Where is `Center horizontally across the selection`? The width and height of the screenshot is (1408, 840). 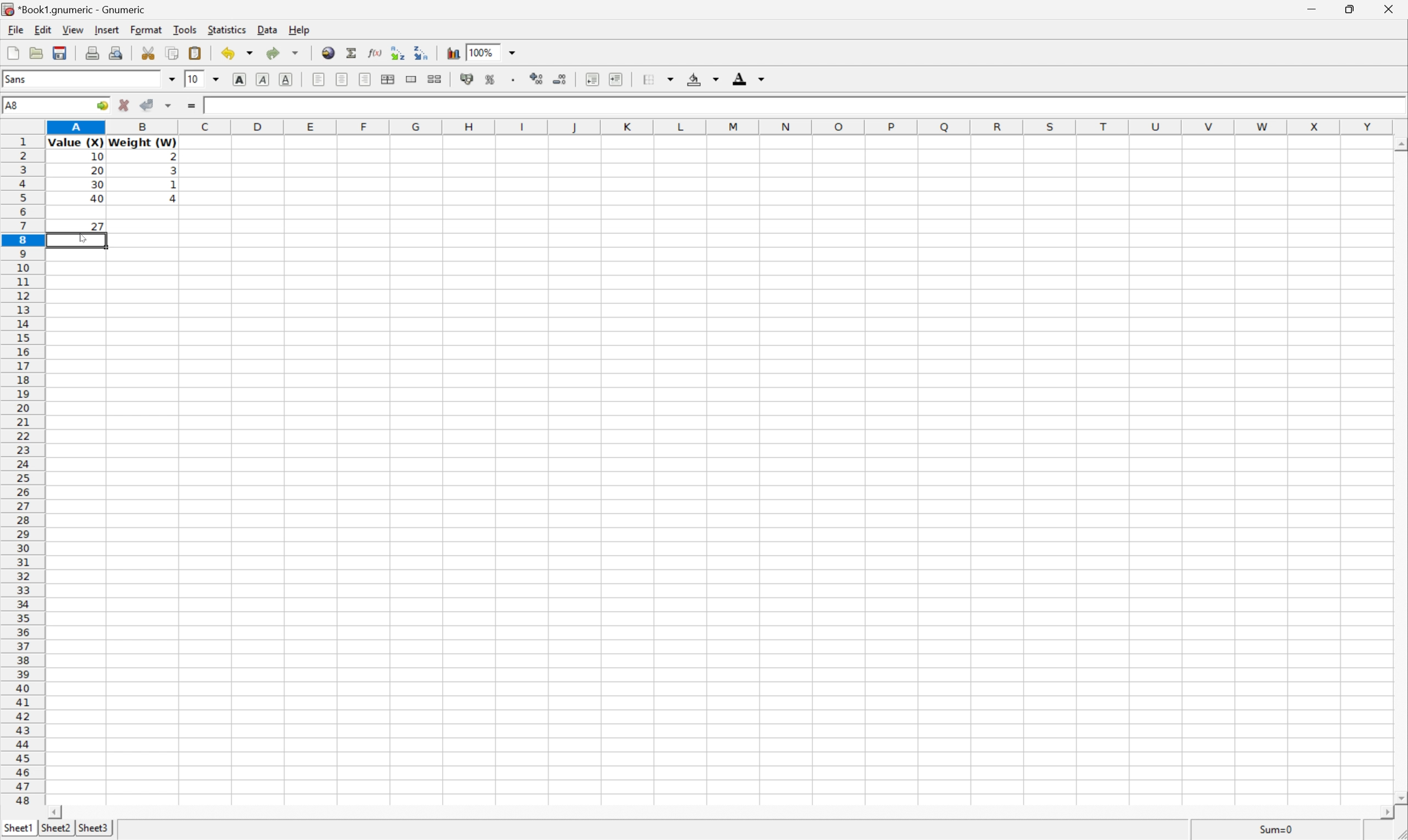
Center horizontally across the selection is located at coordinates (389, 78).